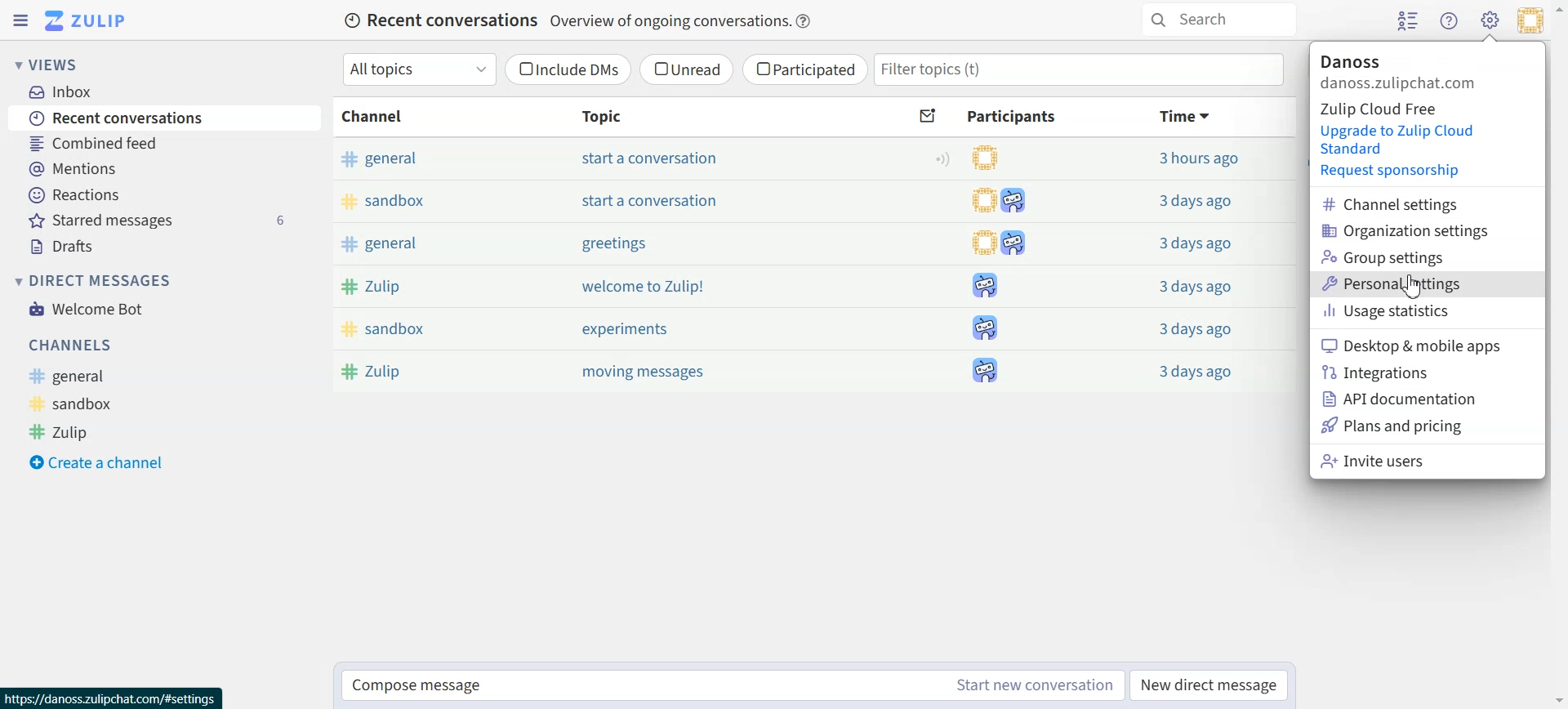 This screenshot has height=709, width=1568. I want to click on Topic, so click(603, 118).